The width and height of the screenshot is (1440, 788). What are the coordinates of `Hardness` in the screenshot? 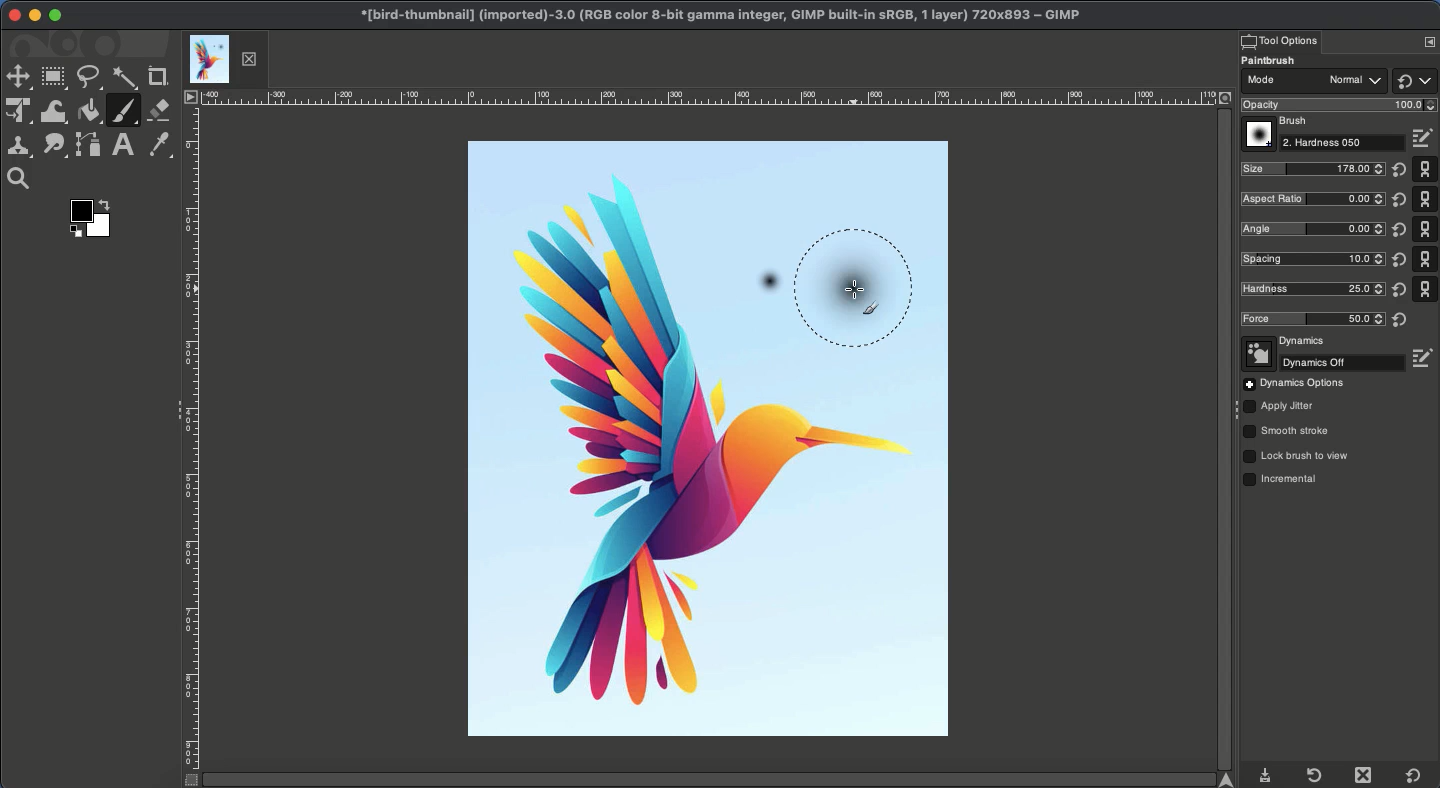 It's located at (1344, 143).